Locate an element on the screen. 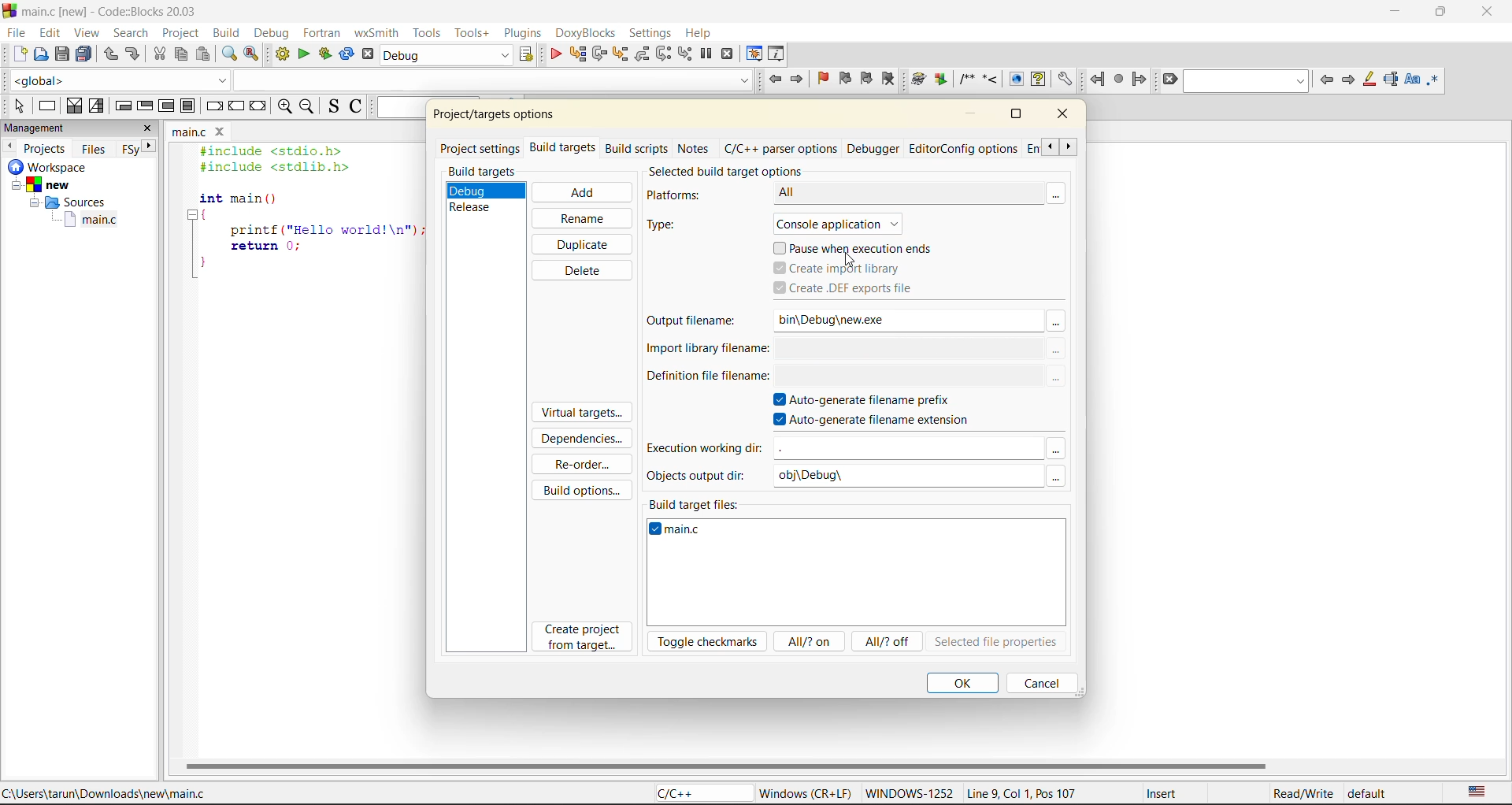  help is located at coordinates (703, 32).